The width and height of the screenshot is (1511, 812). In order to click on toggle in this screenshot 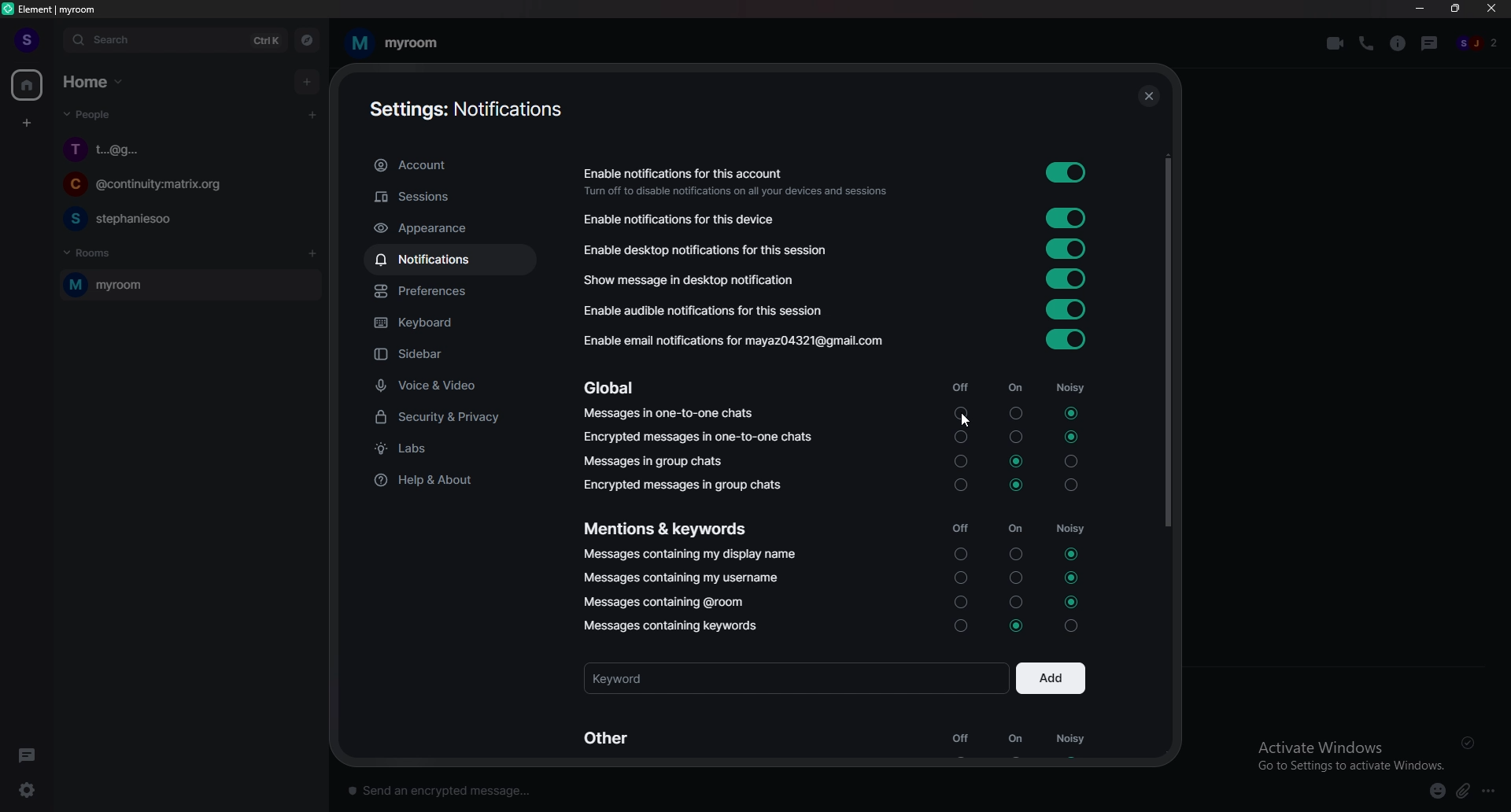, I will do `click(1069, 279)`.